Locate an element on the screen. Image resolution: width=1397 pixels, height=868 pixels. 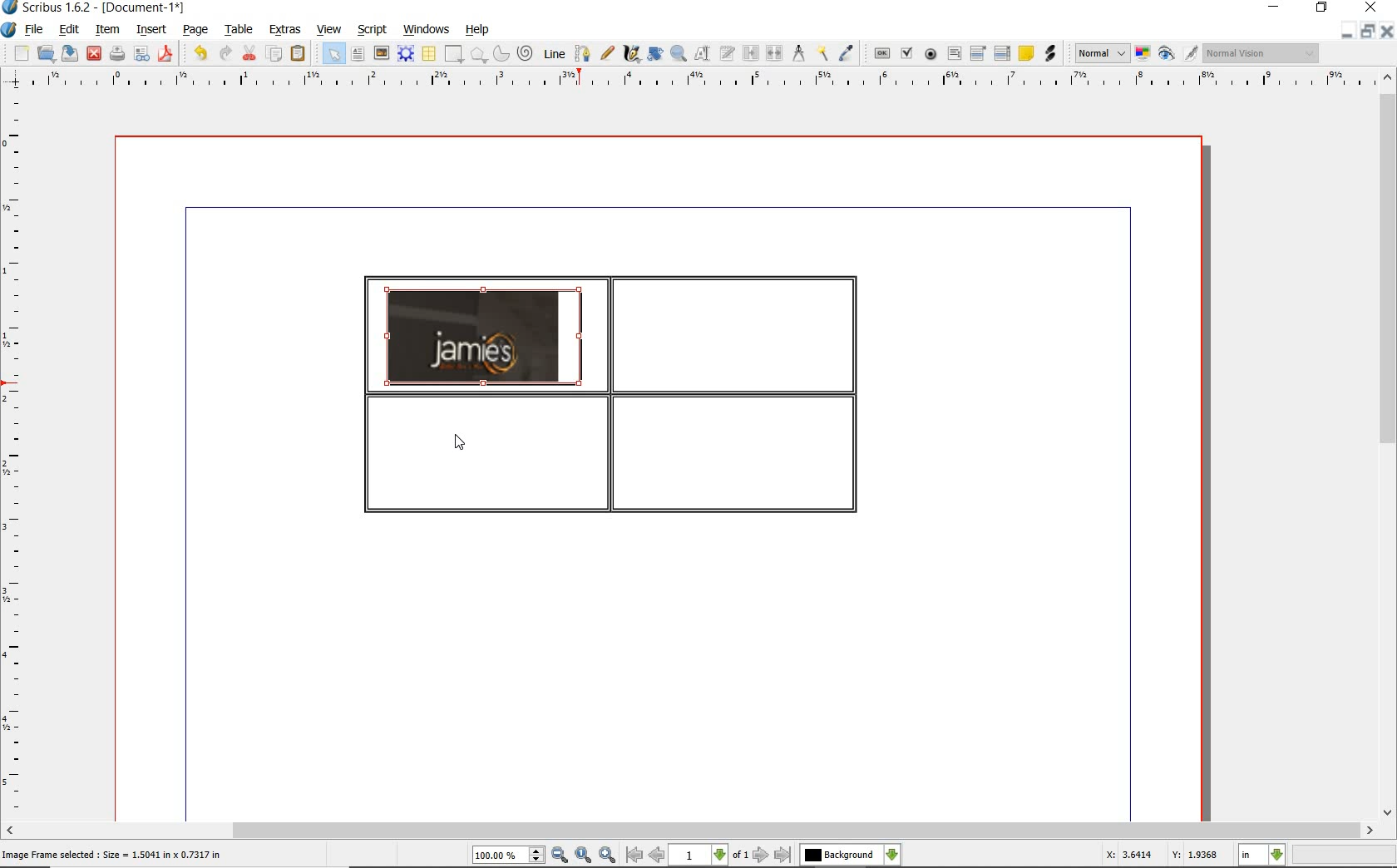
go to last page is located at coordinates (784, 855).